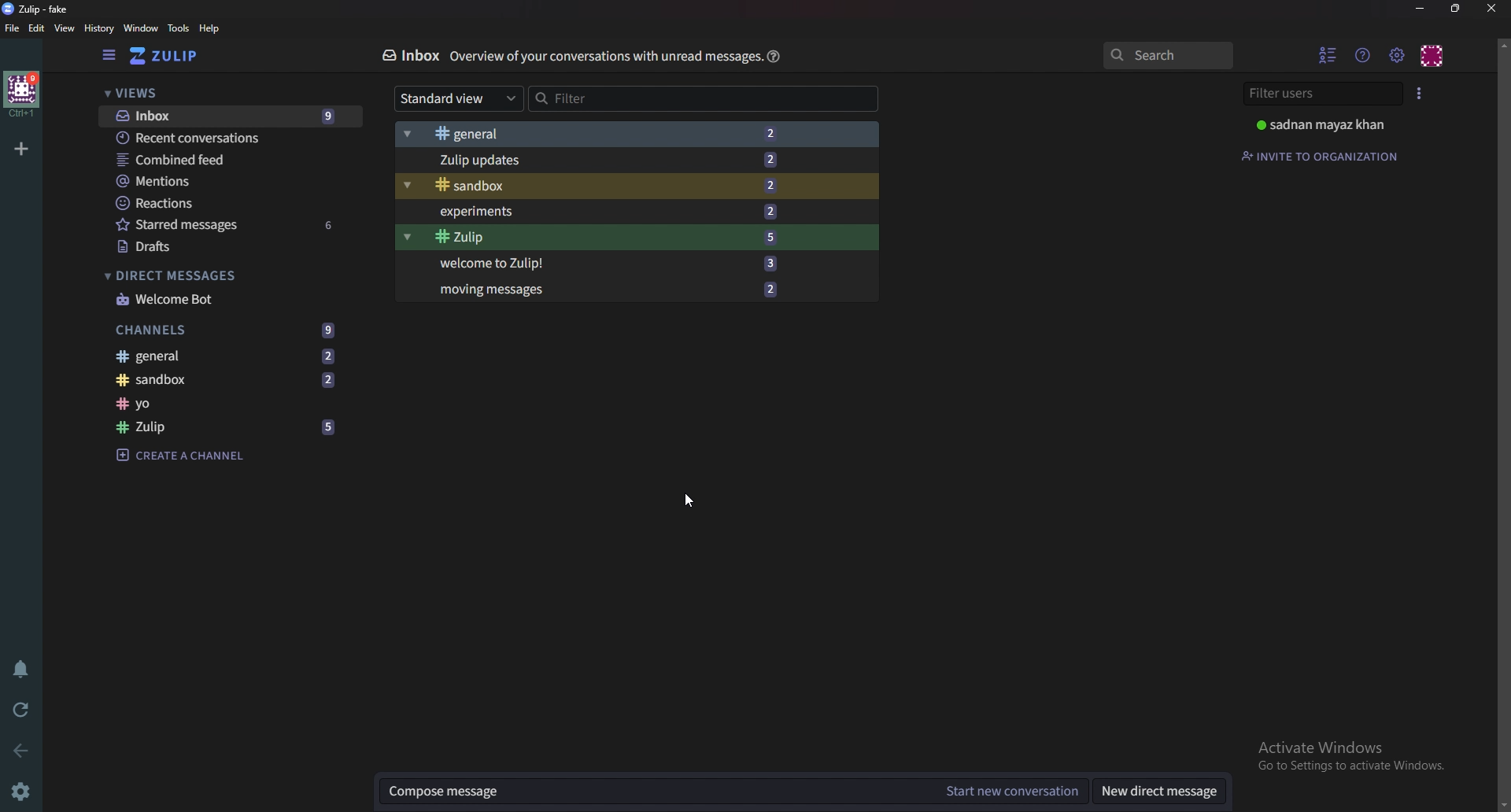 This screenshot has height=812, width=1511. Describe the element at coordinates (455, 98) in the screenshot. I see `Standard view` at that location.